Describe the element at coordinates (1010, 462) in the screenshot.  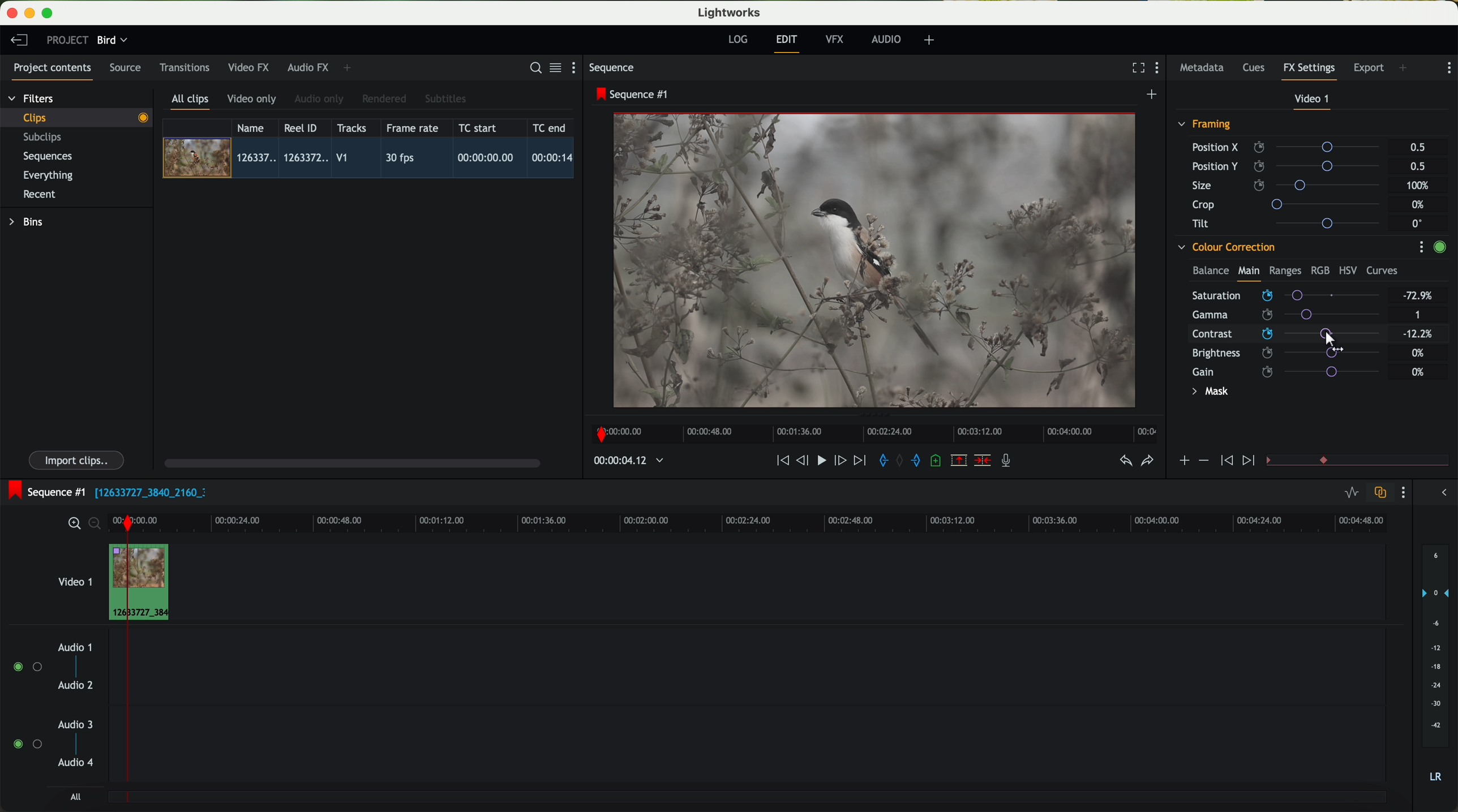
I see `record a voice-over` at that location.